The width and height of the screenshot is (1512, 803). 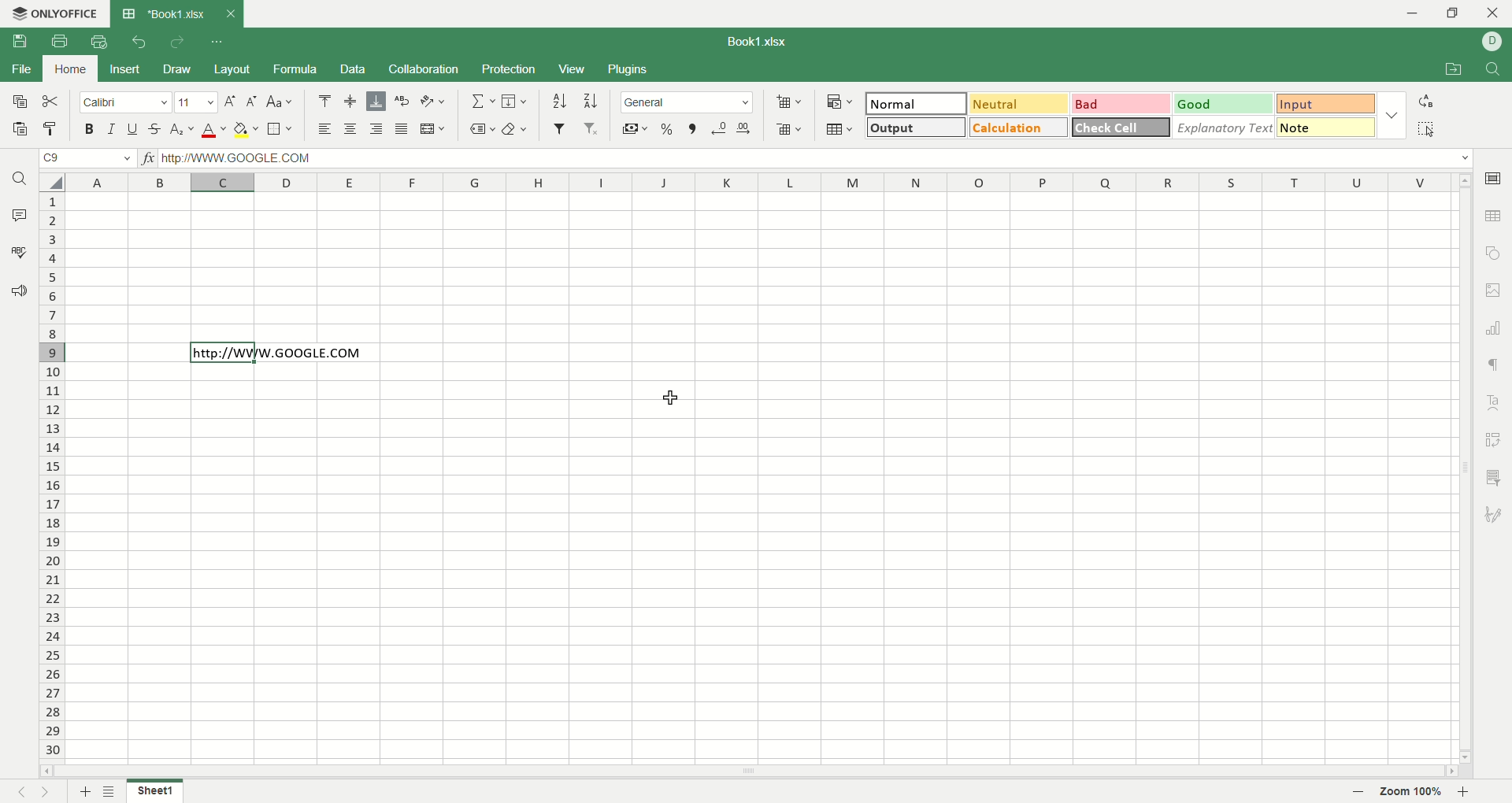 What do you see at coordinates (126, 104) in the screenshot?
I see `font name` at bounding box center [126, 104].